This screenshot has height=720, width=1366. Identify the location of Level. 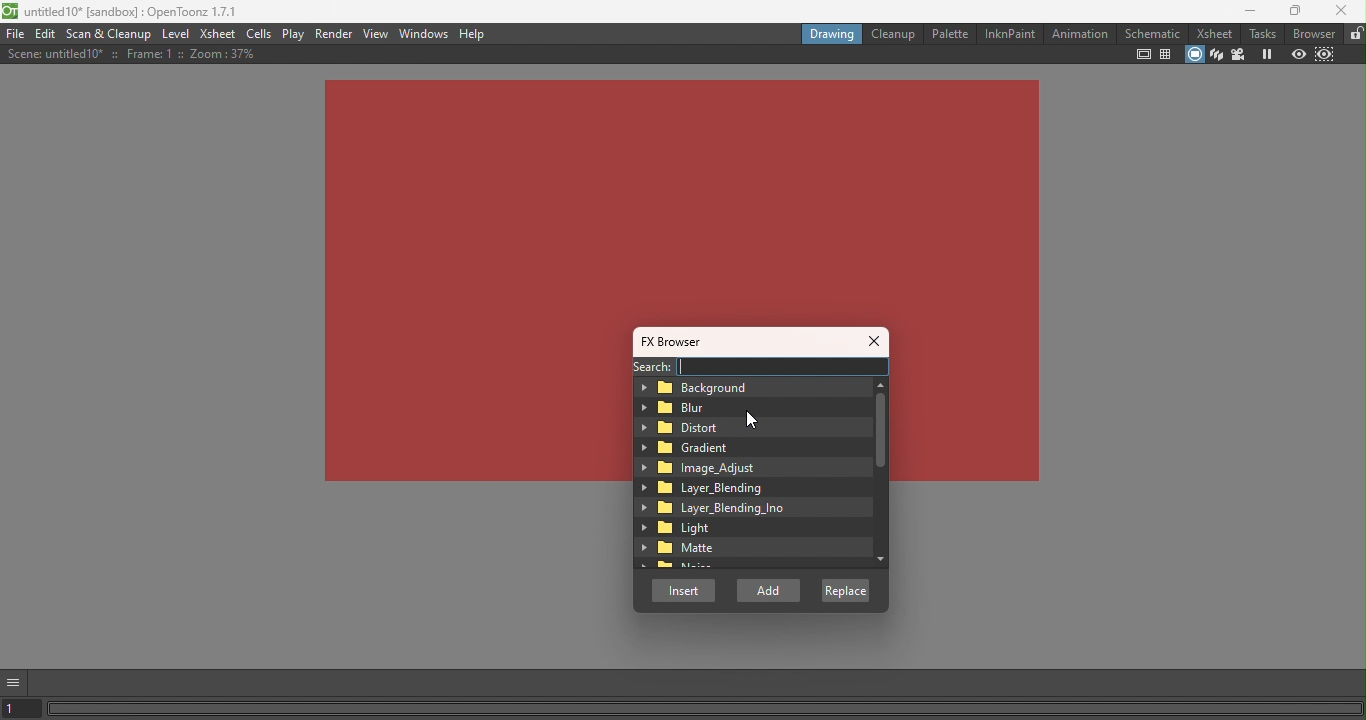
(176, 35).